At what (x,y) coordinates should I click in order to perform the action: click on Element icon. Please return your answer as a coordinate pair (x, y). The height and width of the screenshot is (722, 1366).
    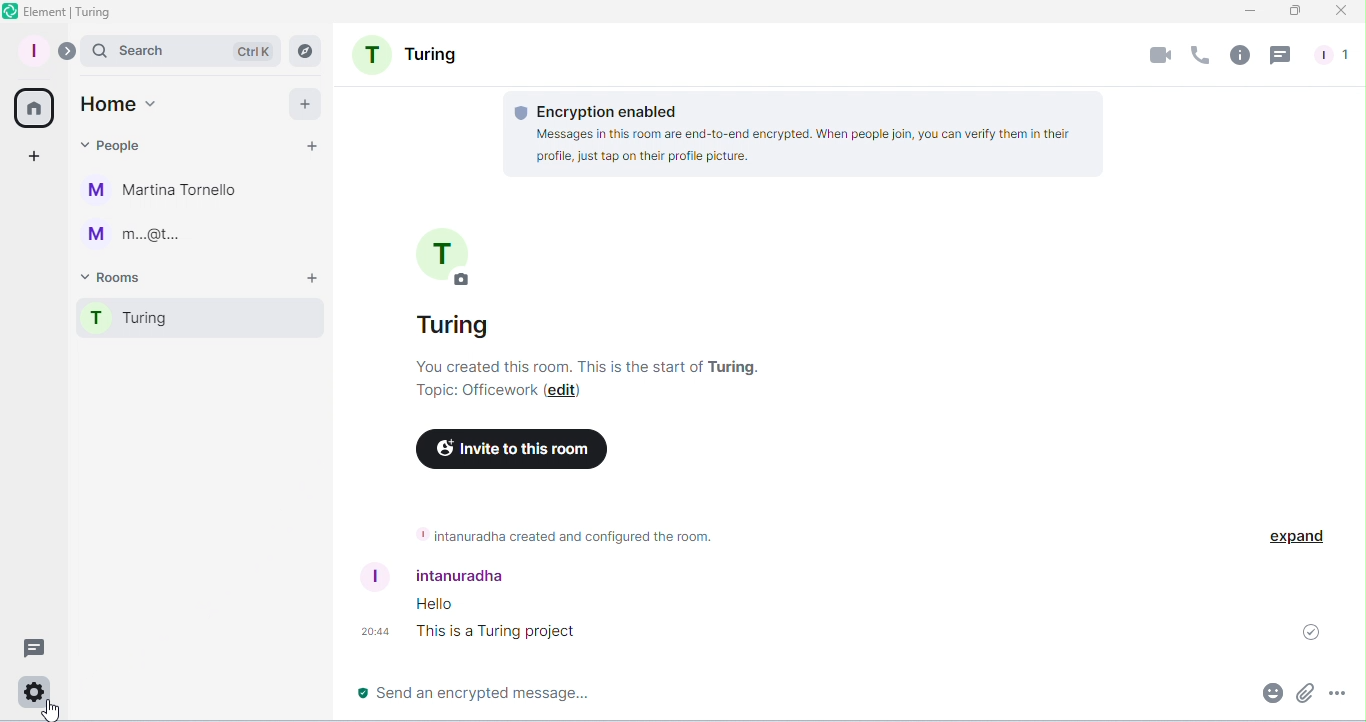
    Looking at the image, I should click on (63, 12).